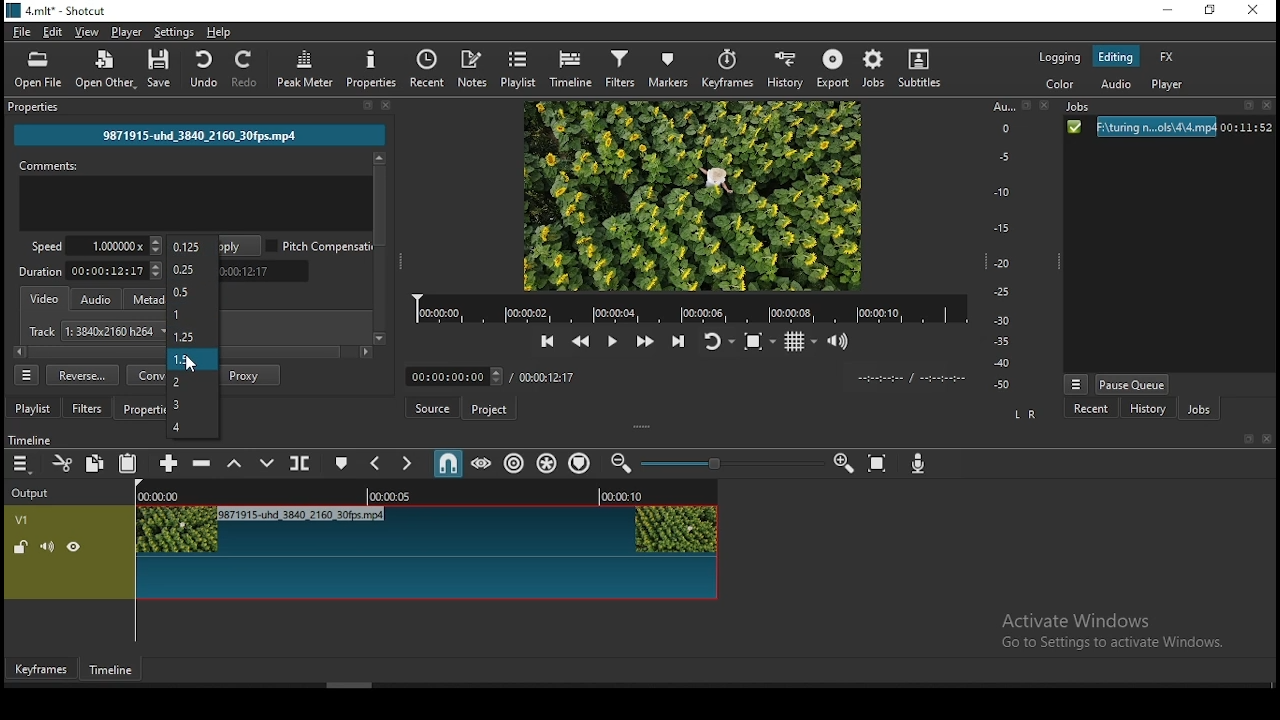 The height and width of the screenshot is (720, 1280). What do you see at coordinates (1134, 384) in the screenshot?
I see `pause queue` at bounding box center [1134, 384].